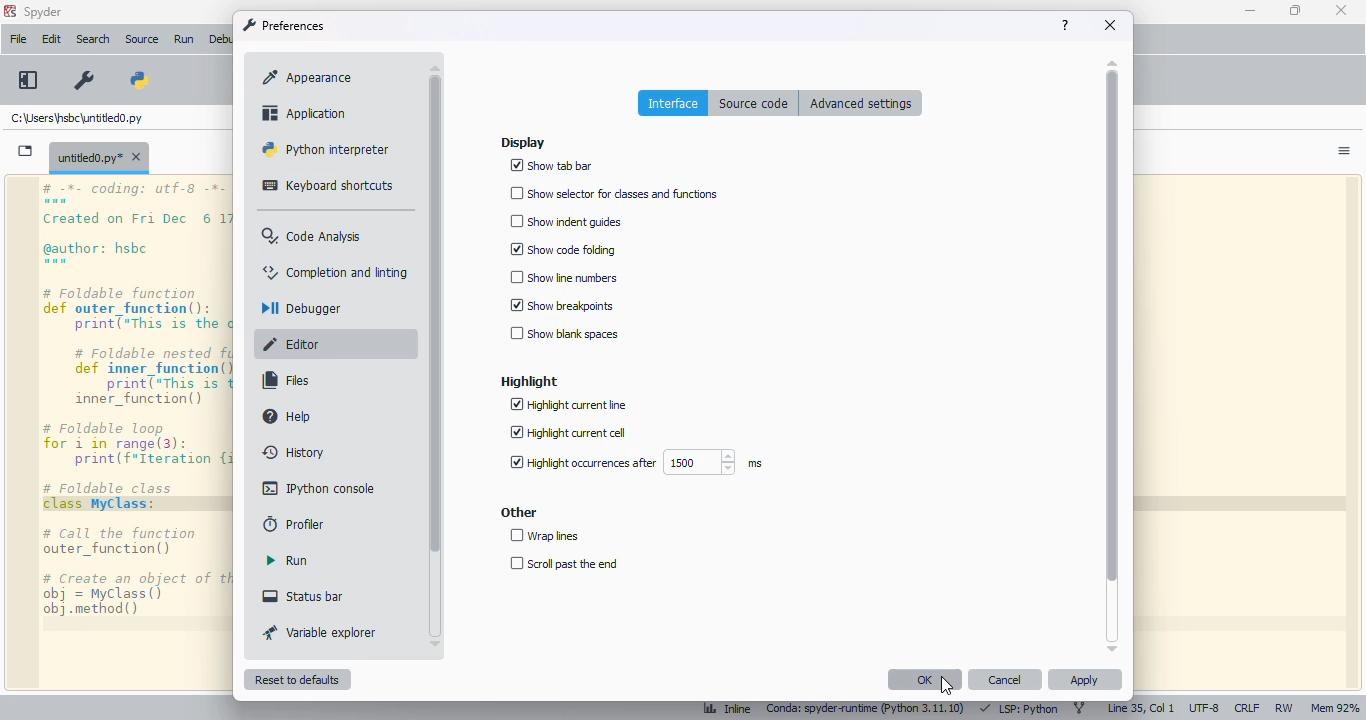 This screenshot has width=1366, height=720. I want to click on edit, so click(51, 39).